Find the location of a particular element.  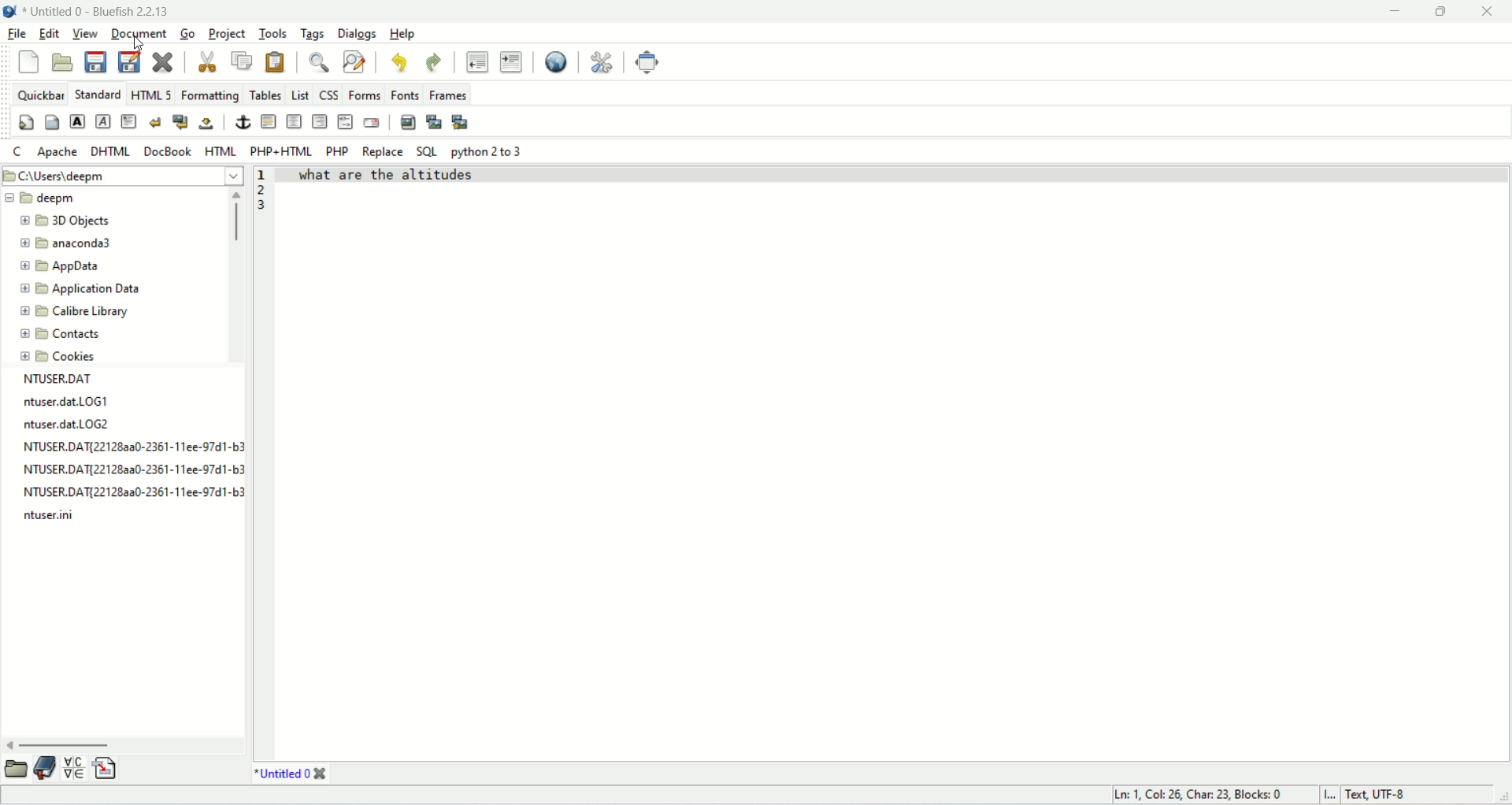

text is located at coordinates (130, 448).